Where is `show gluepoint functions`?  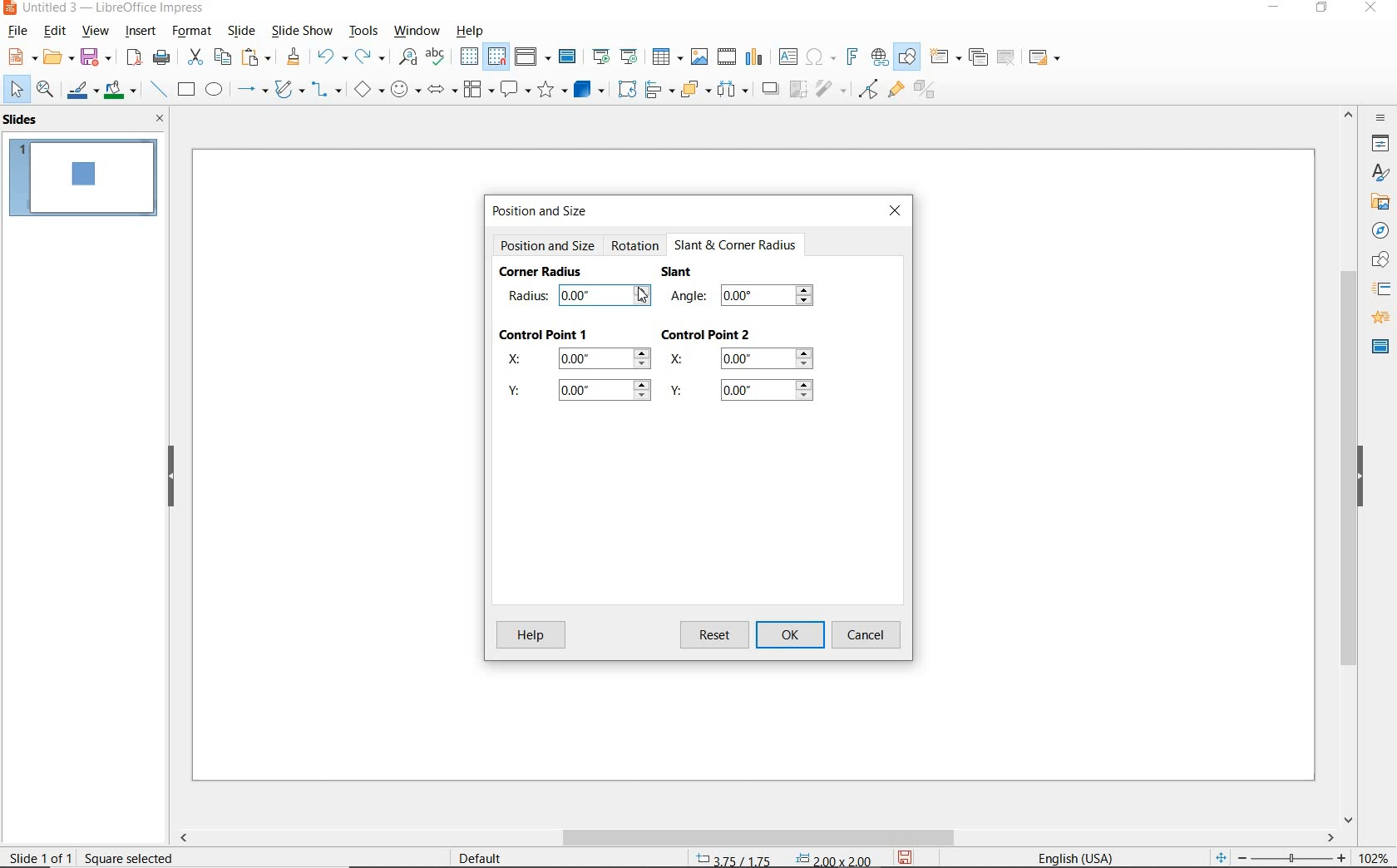
show gluepoint functions is located at coordinates (895, 91).